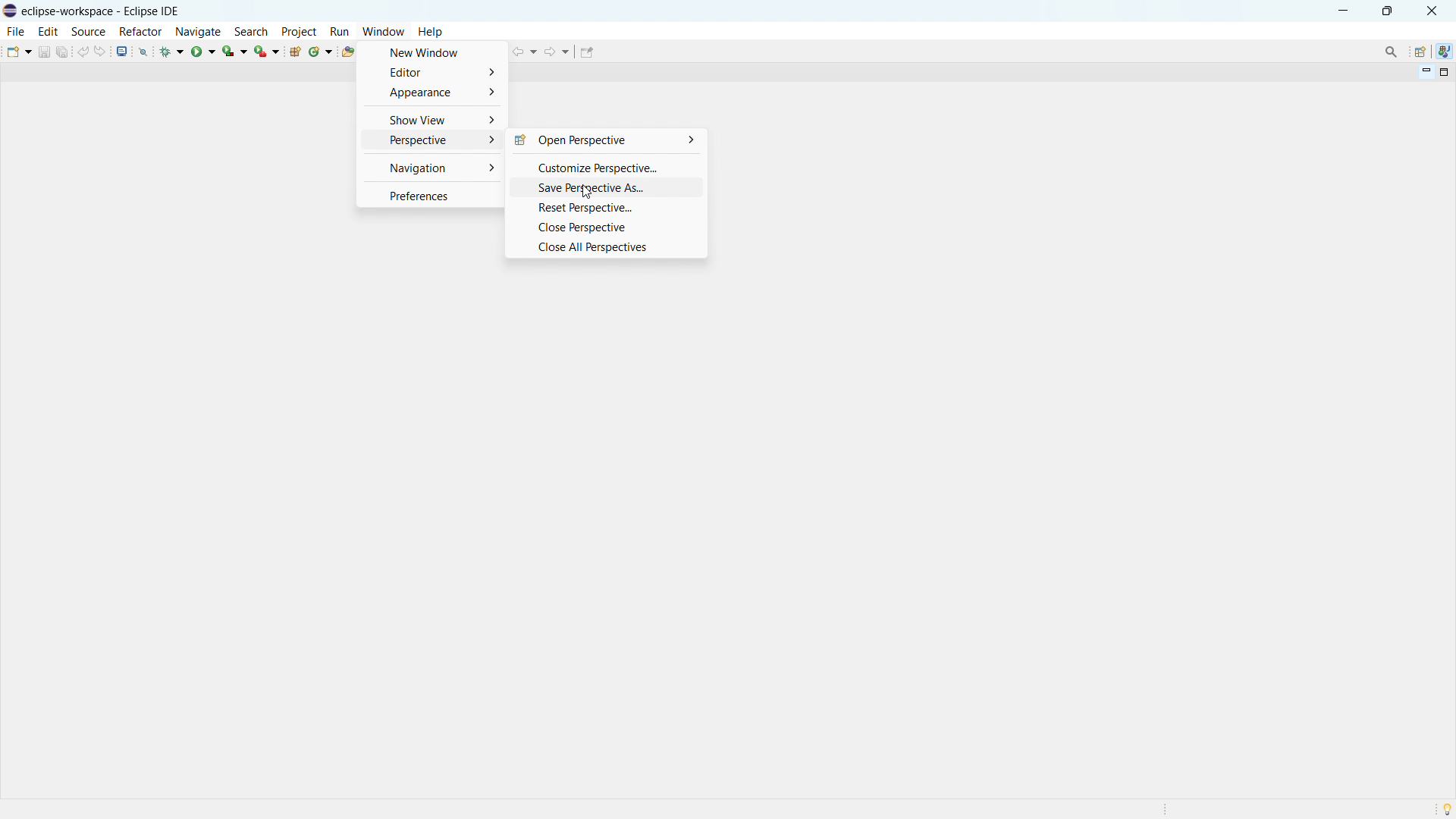 Image resolution: width=1456 pixels, height=819 pixels. What do you see at coordinates (340, 31) in the screenshot?
I see `run` at bounding box center [340, 31].